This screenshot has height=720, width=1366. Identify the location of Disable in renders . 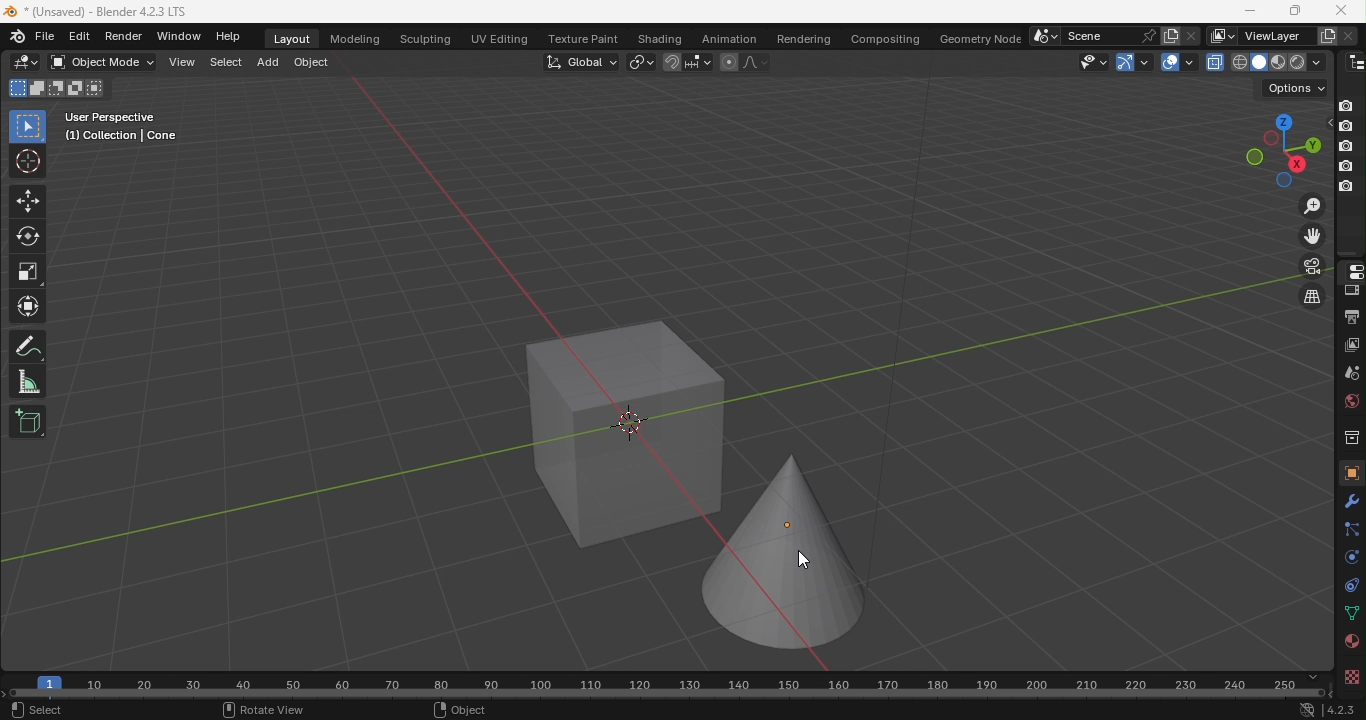
(1346, 105).